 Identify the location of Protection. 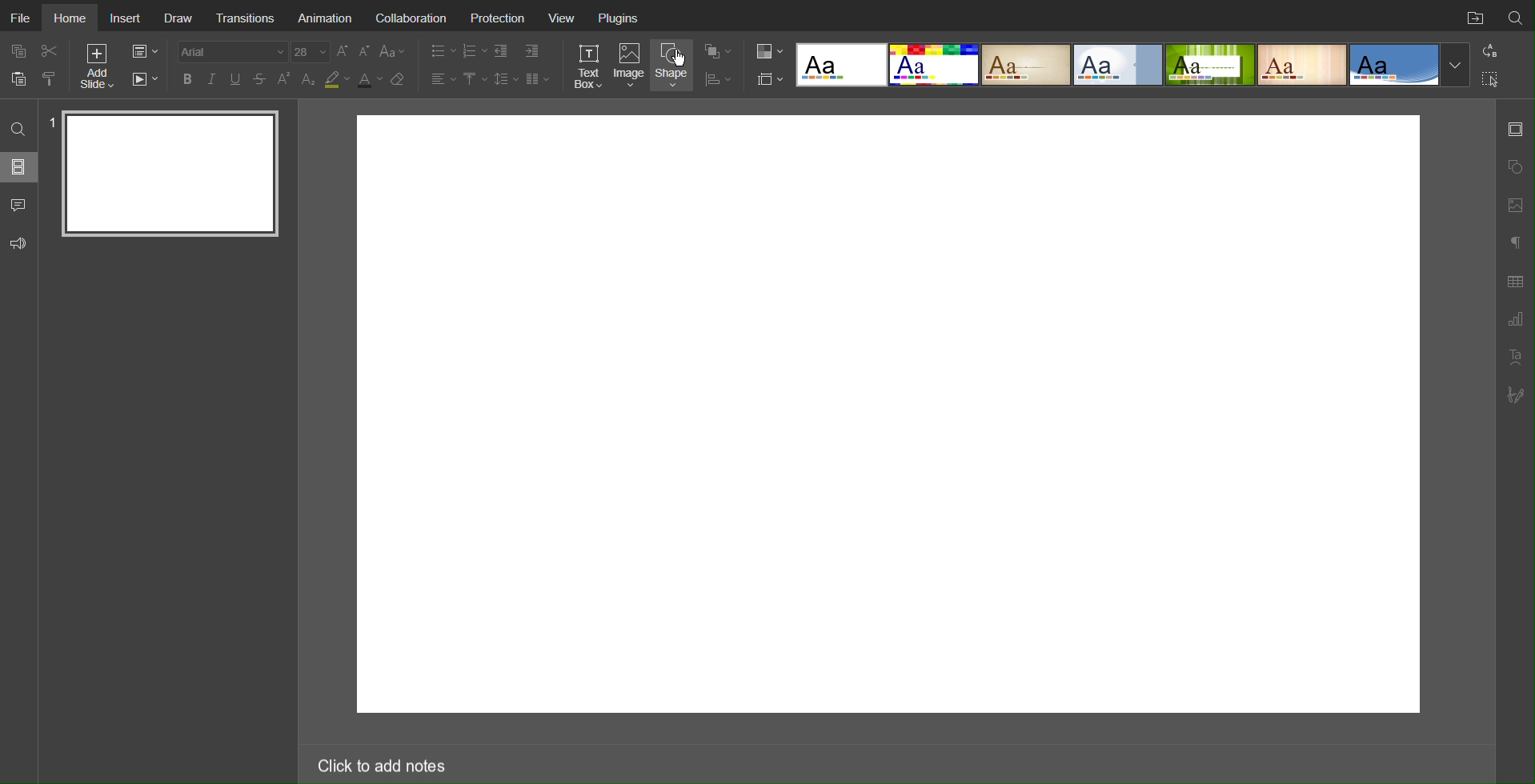
(499, 18).